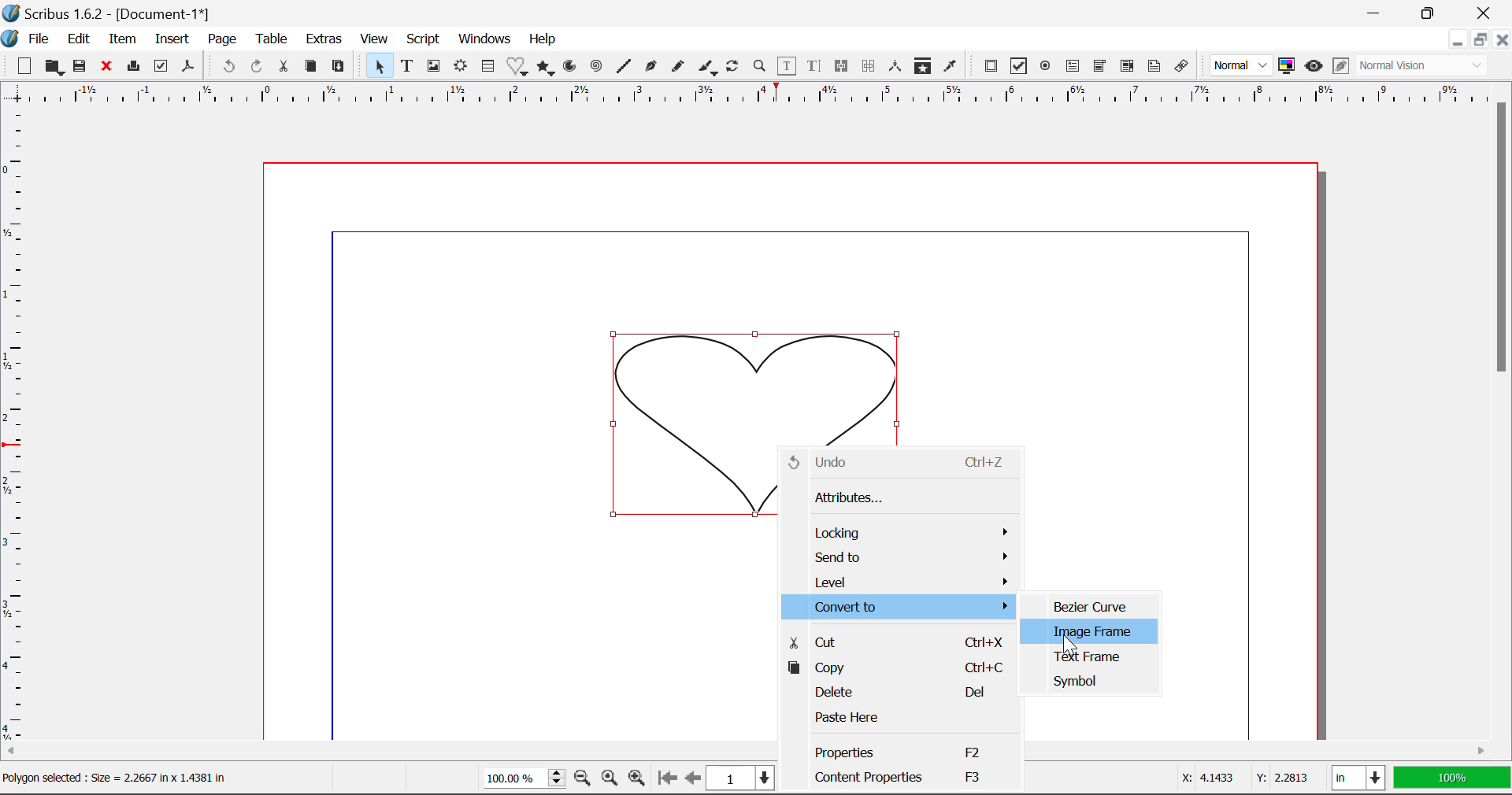  I want to click on Insert Special Shapes, so click(518, 68).